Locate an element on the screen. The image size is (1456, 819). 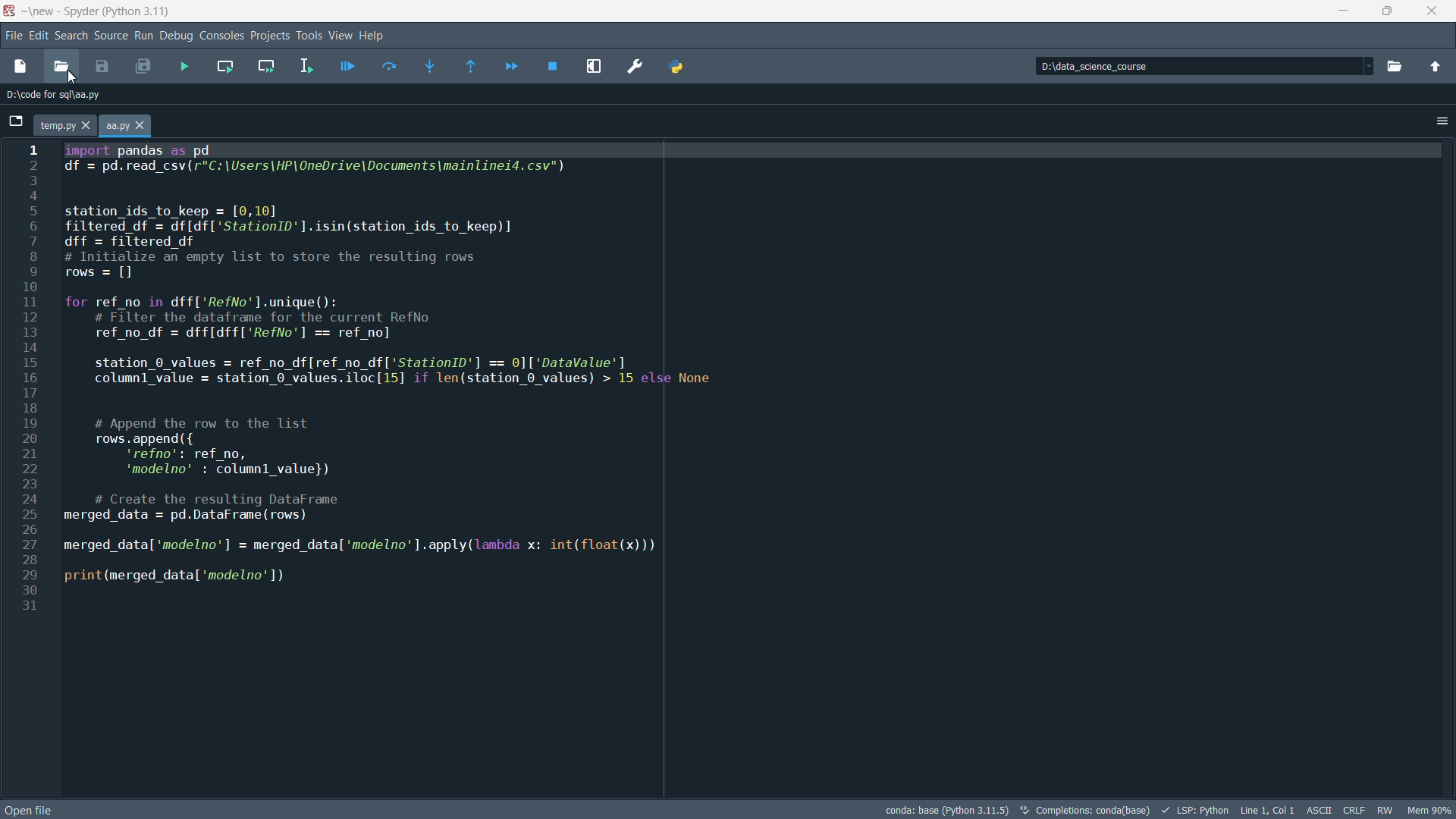
lps:python is located at coordinates (1194, 810).